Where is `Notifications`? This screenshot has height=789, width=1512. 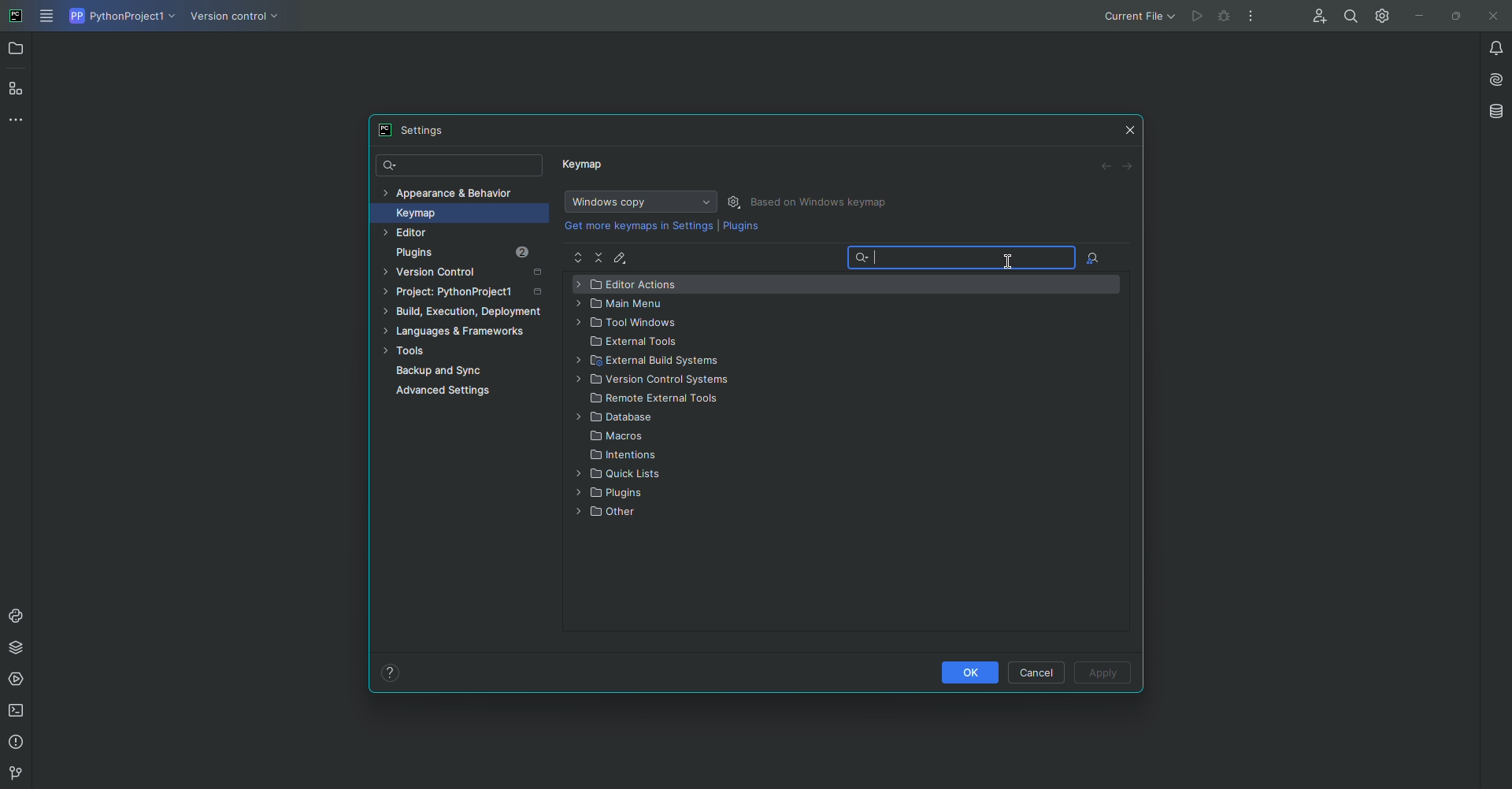 Notifications is located at coordinates (1487, 47).